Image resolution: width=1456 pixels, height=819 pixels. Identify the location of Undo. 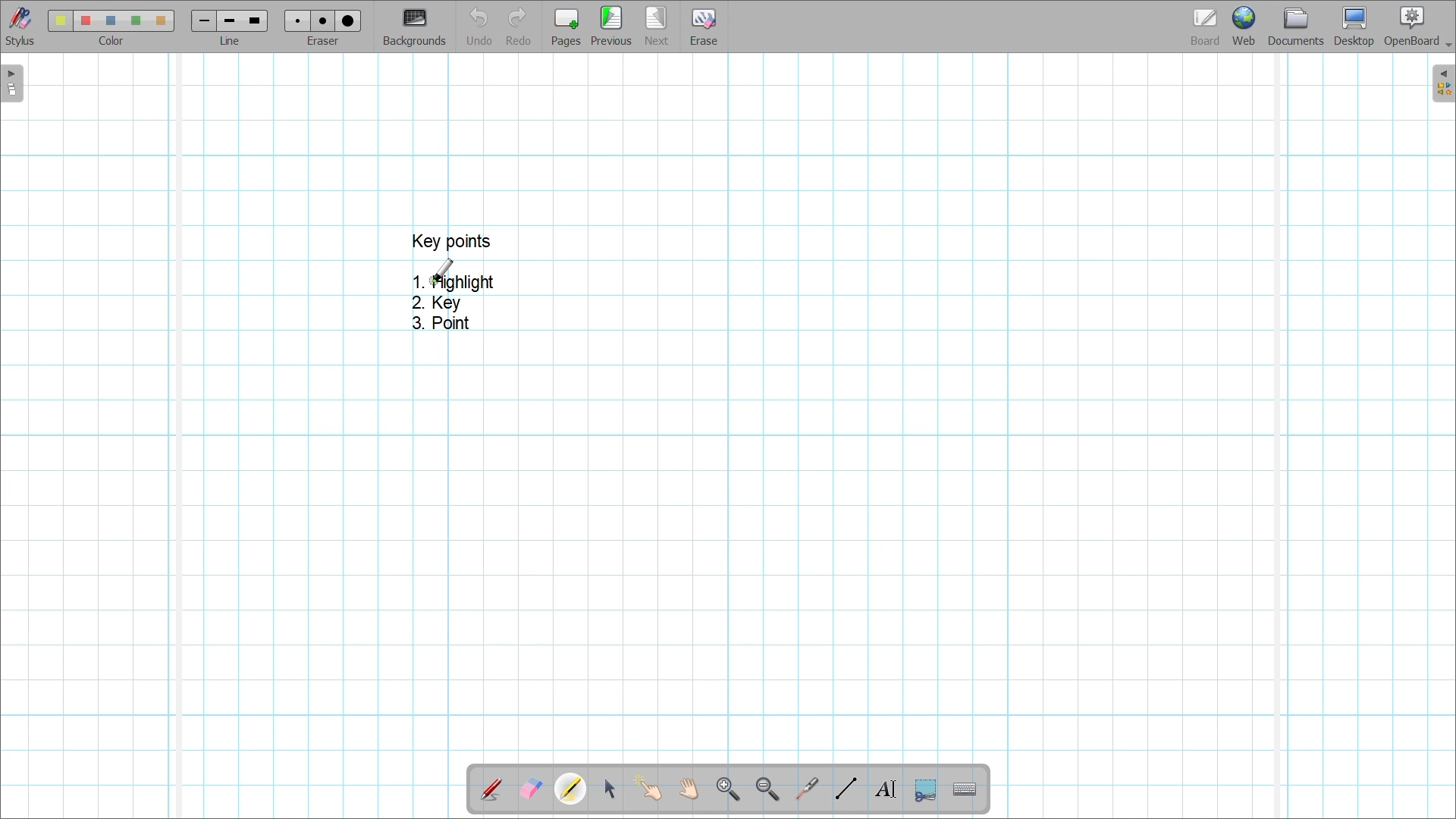
(480, 26).